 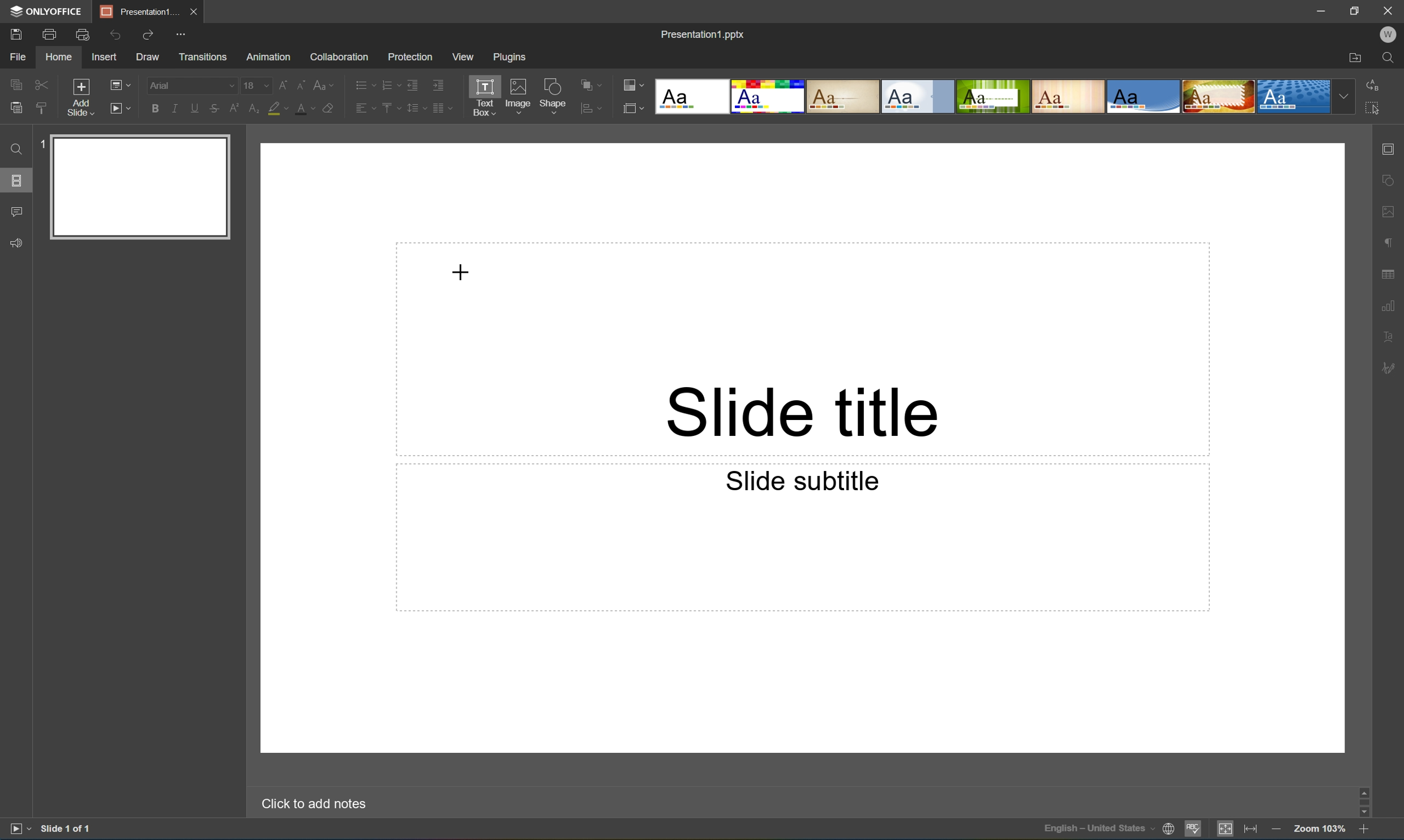 I want to click on Draw, so click(x=149, y=57).